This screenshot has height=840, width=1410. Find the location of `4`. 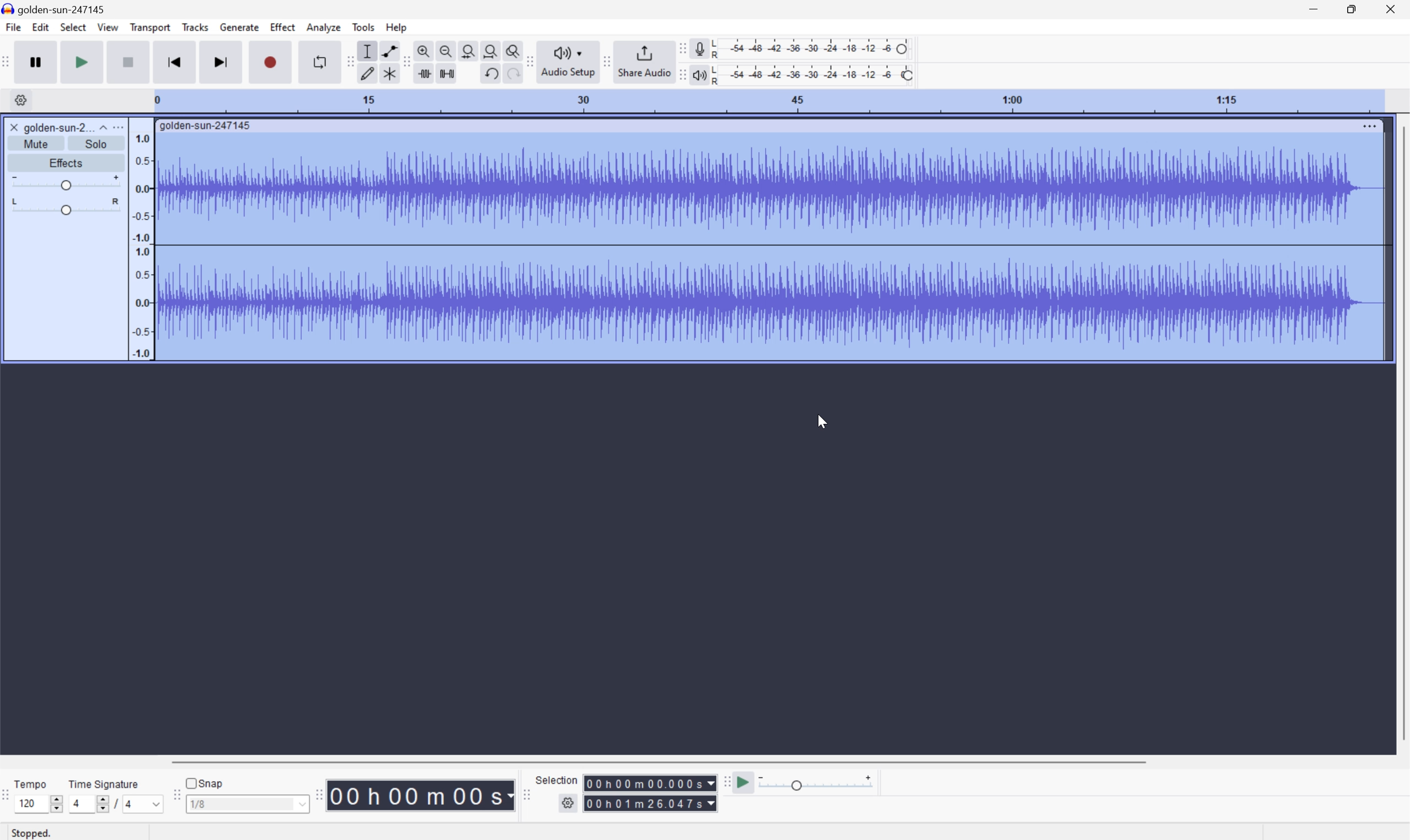

4 is located at coordinates (87, 804).